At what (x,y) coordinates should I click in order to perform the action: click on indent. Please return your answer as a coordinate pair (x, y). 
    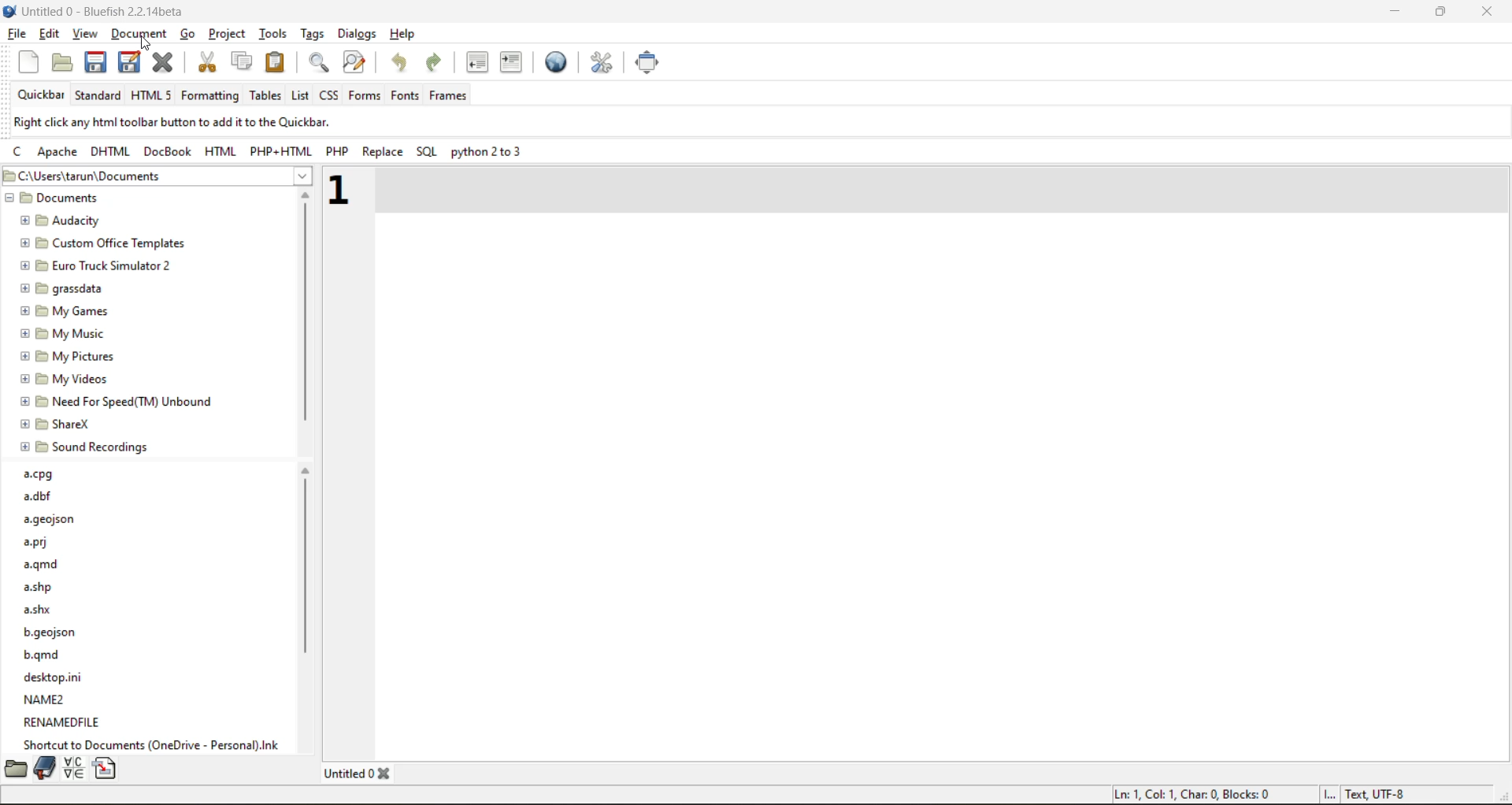
    Looking at the image, I should click on (515, 63).